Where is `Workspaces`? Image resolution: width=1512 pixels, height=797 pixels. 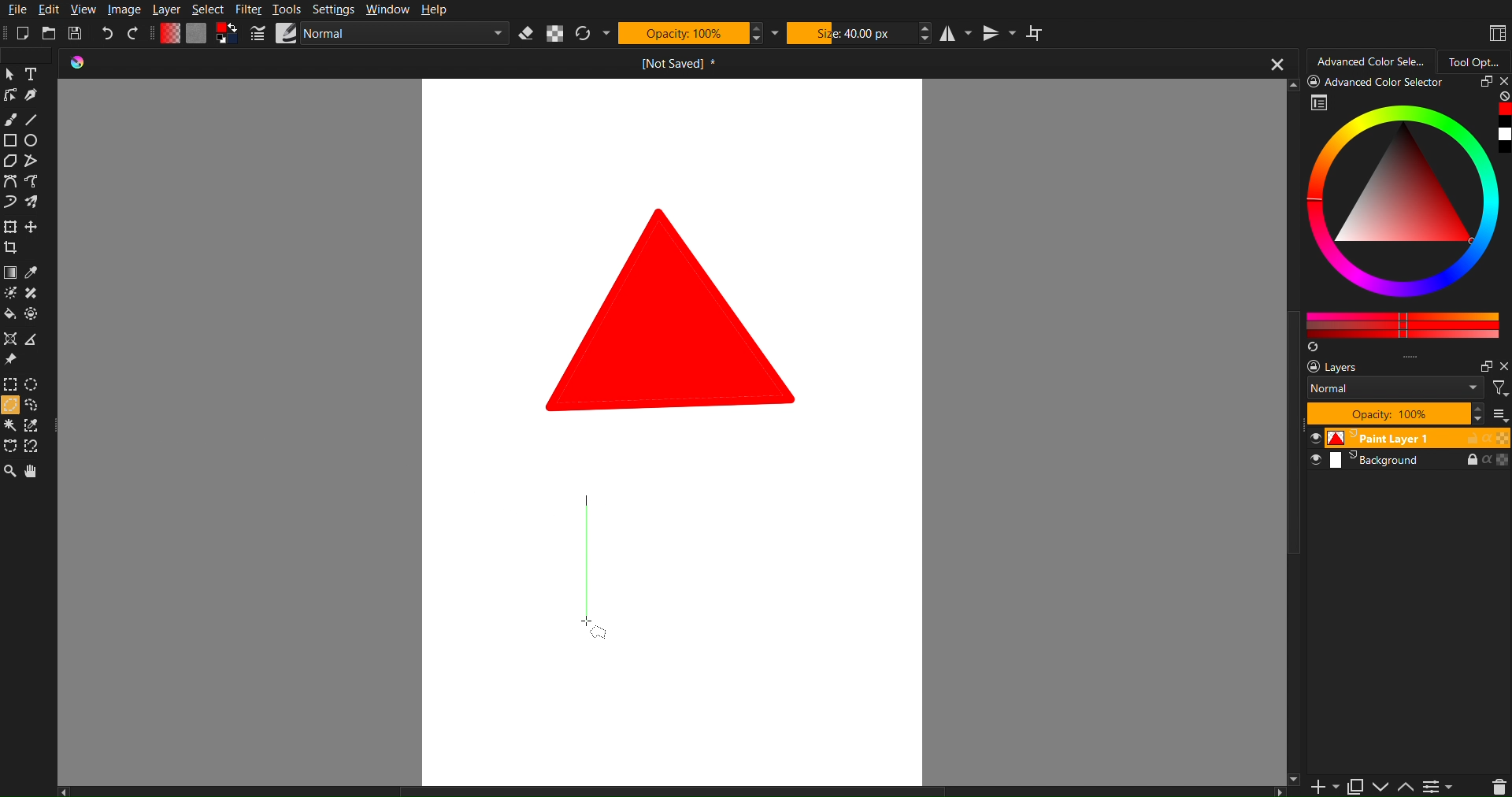
Workspaces is located at coordinates (1495, 32).